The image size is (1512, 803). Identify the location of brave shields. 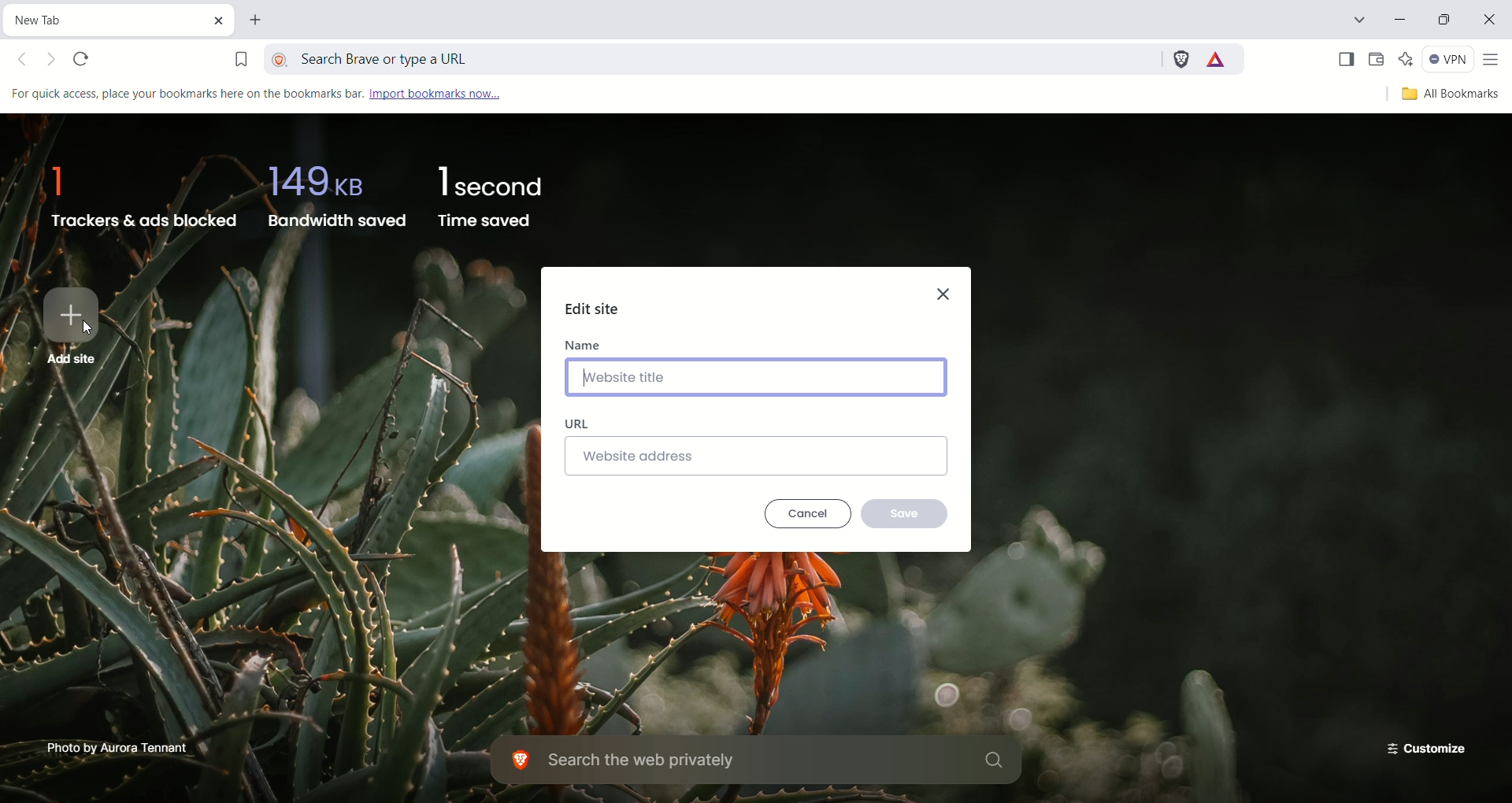
(1180, 57).